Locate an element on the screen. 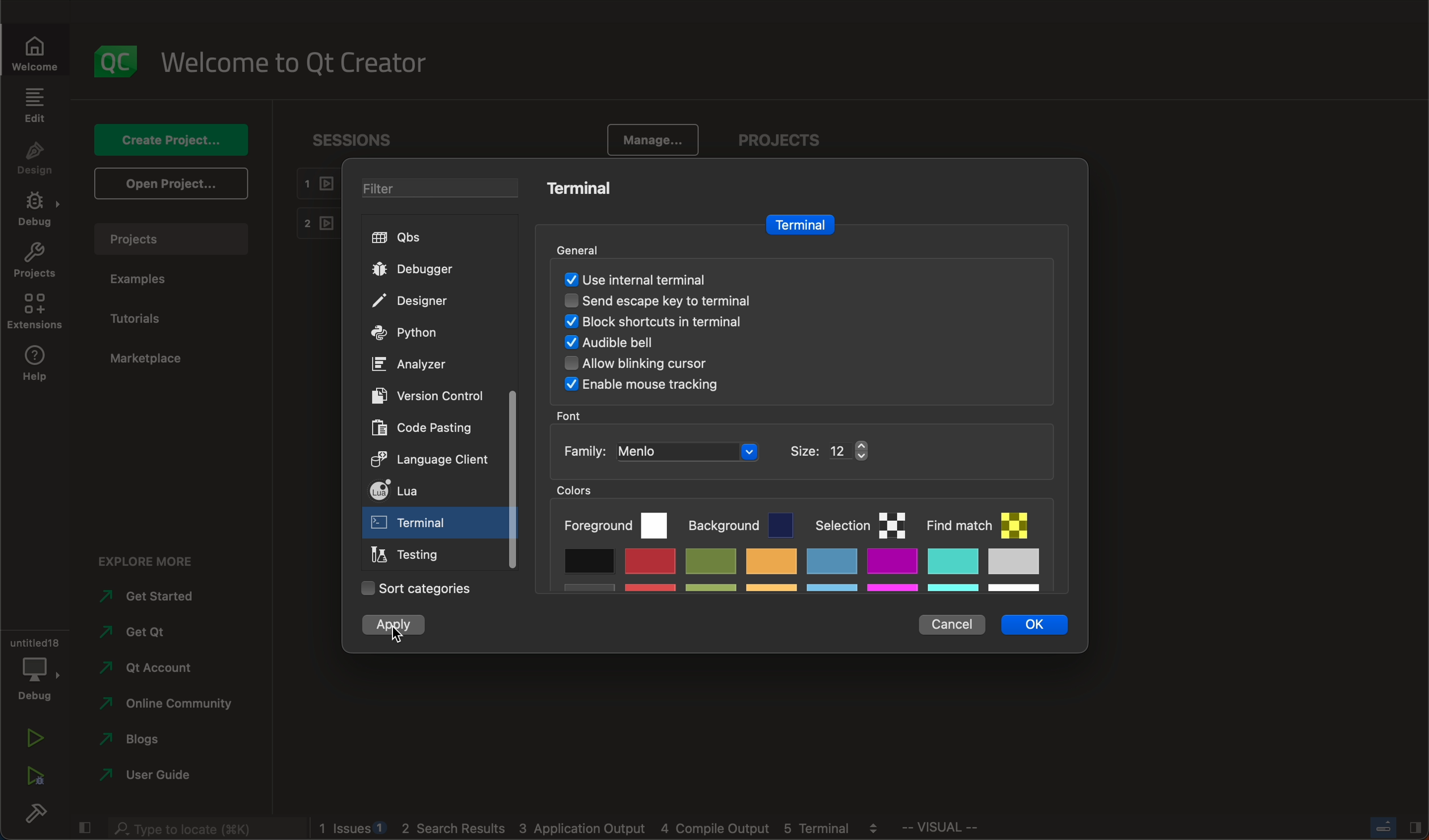 Image resolution: width=1429 pixels, height=840 pixels. welcome  is located at coordinates (304, 63).